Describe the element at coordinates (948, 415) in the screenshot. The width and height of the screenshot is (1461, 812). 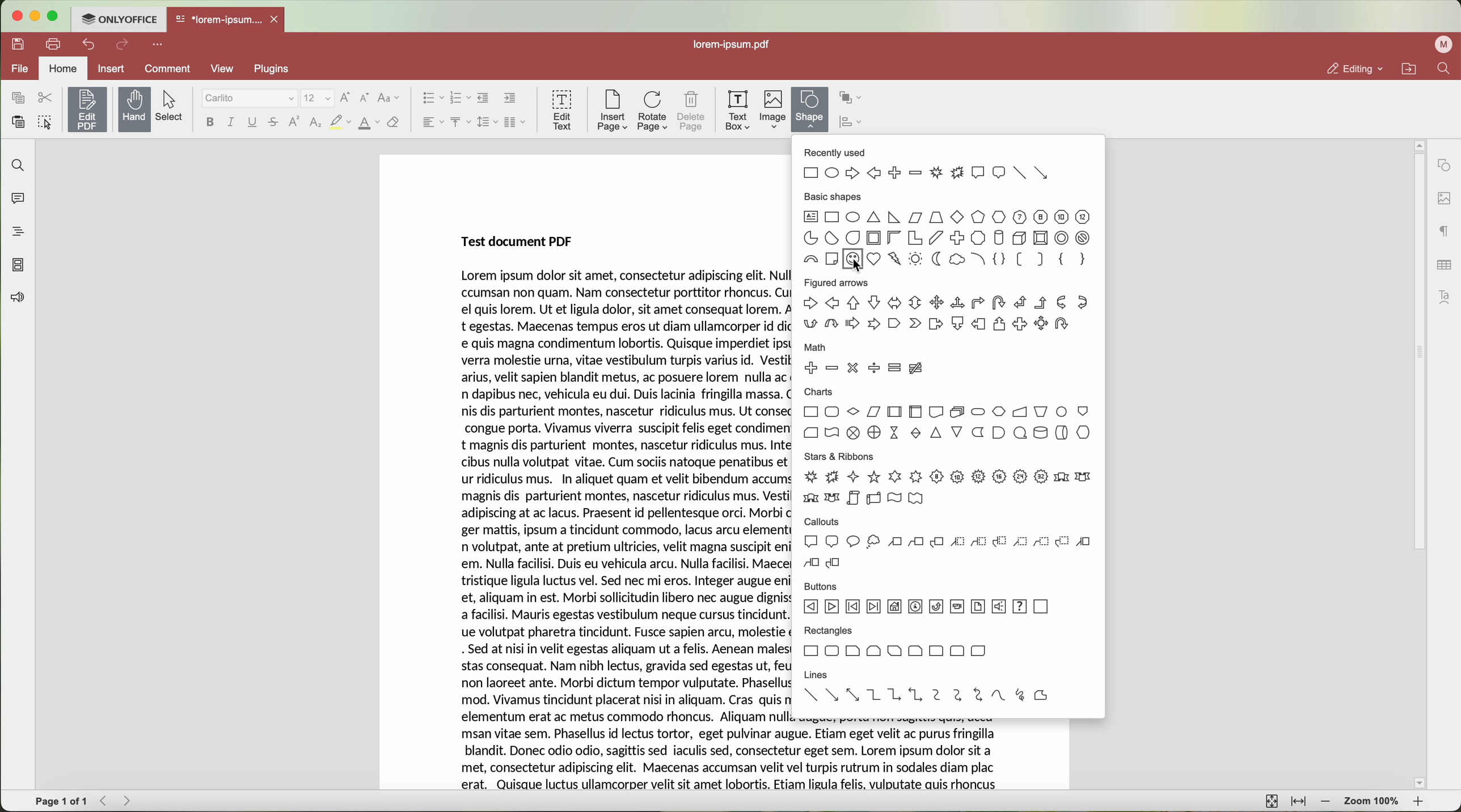
I see `charts` at that location.